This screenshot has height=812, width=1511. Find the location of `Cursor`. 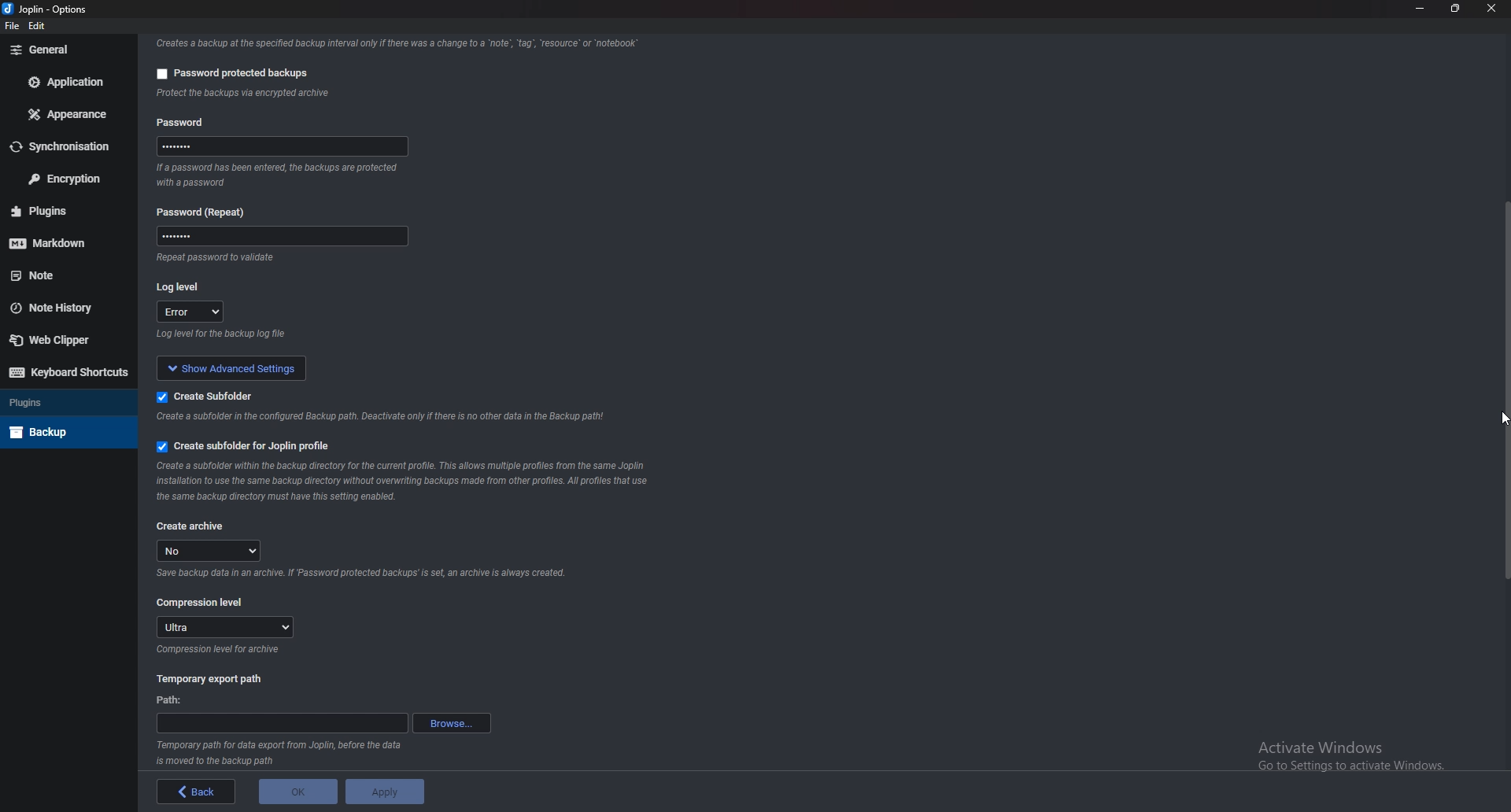

Cursor is located at coordinates (1491, 423).